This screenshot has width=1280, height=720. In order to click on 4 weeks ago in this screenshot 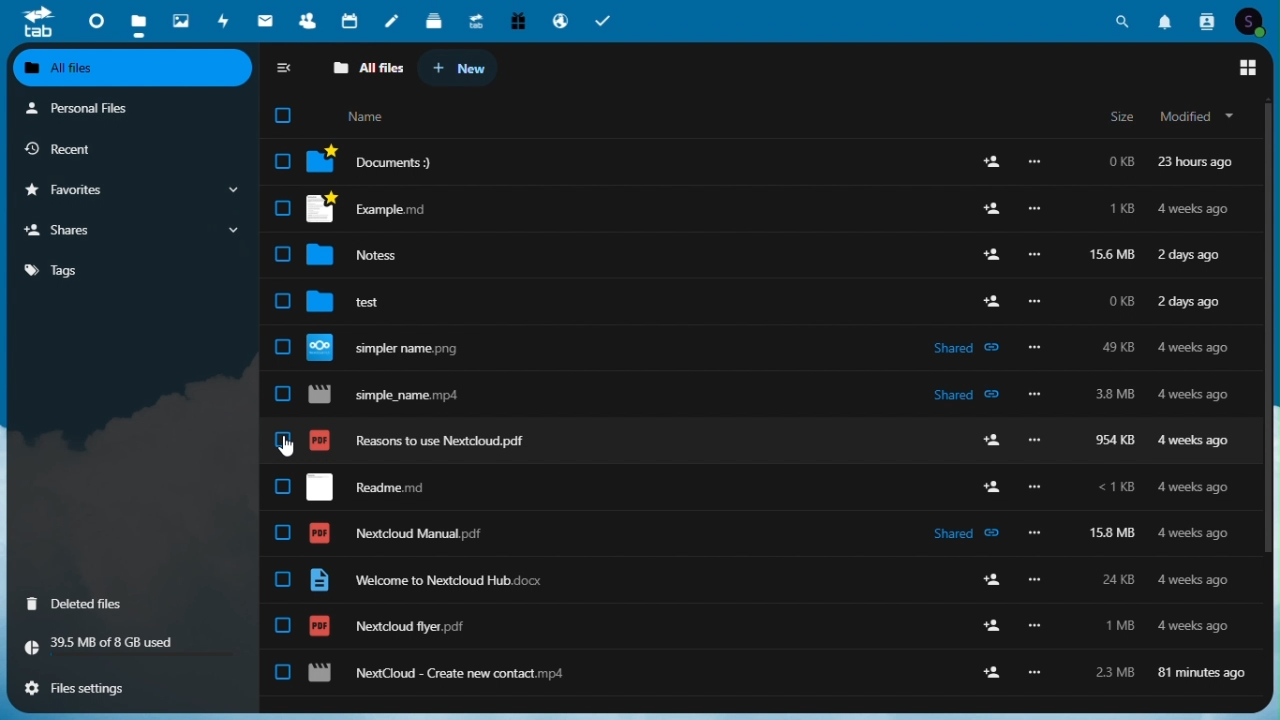, I will do `click(1193, 349)`.